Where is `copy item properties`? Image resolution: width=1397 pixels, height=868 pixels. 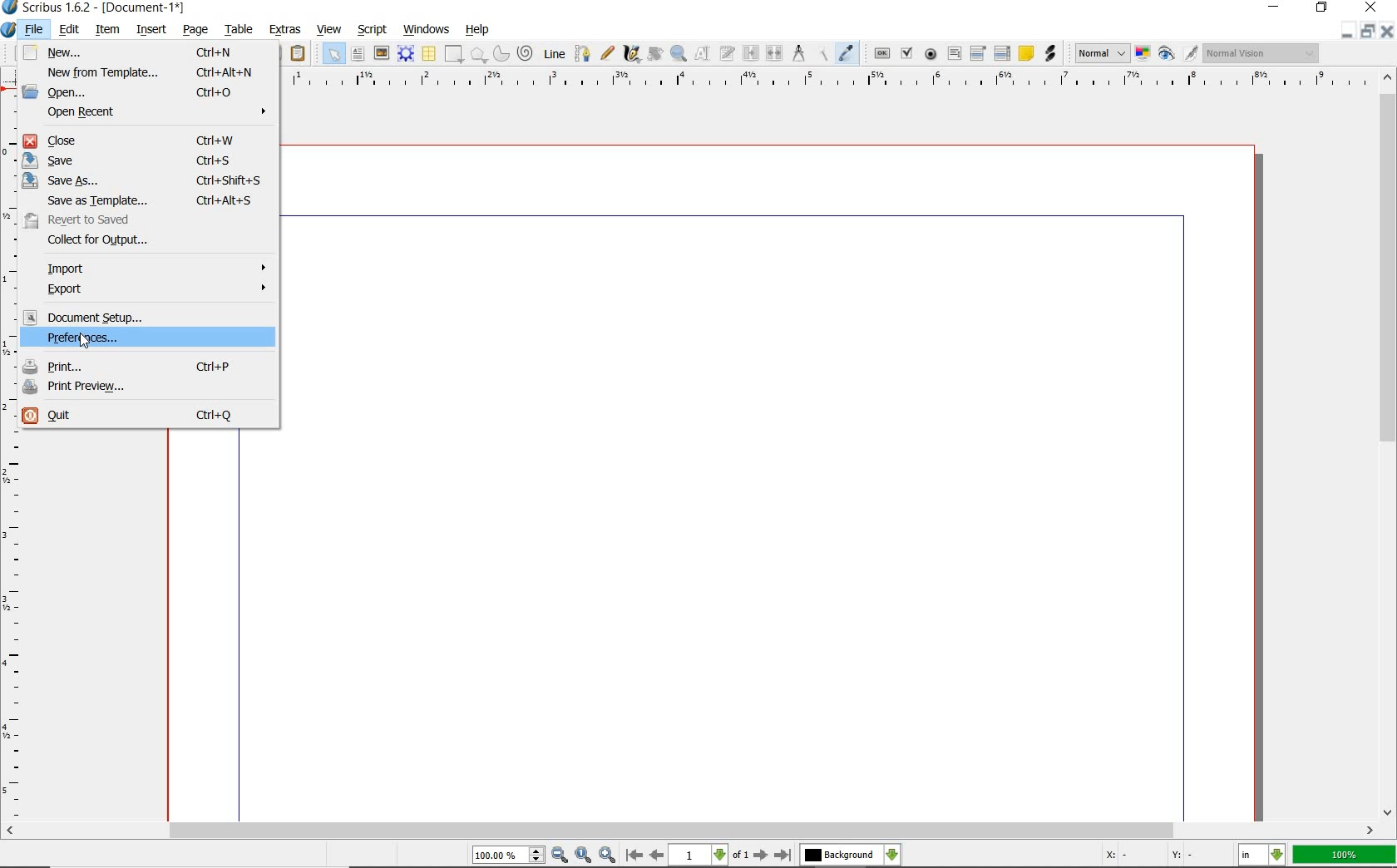
copy item properties is located at coordinates (824, 54).